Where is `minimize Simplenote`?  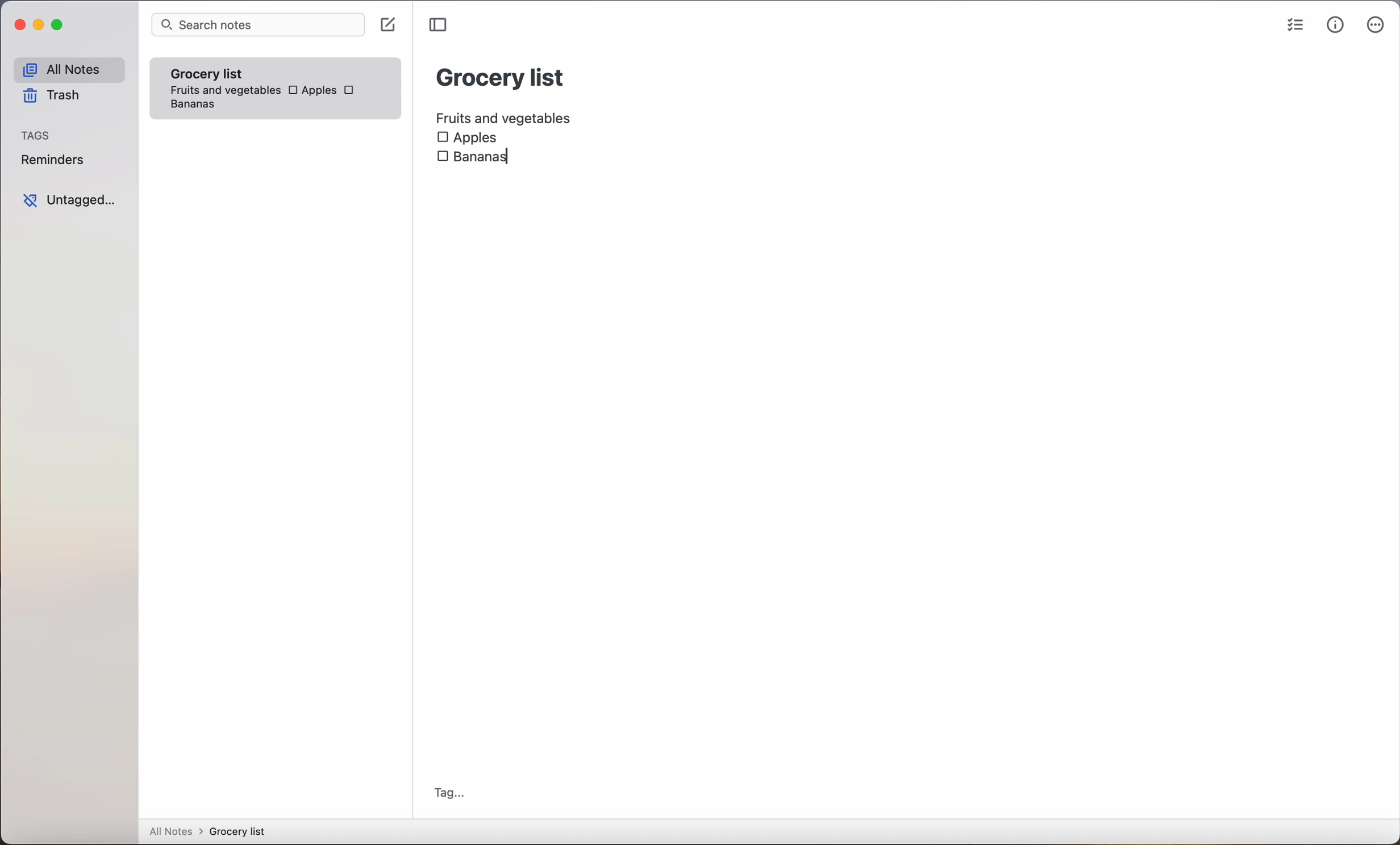 minimize Simplenote is located at coordinates (41, 27).